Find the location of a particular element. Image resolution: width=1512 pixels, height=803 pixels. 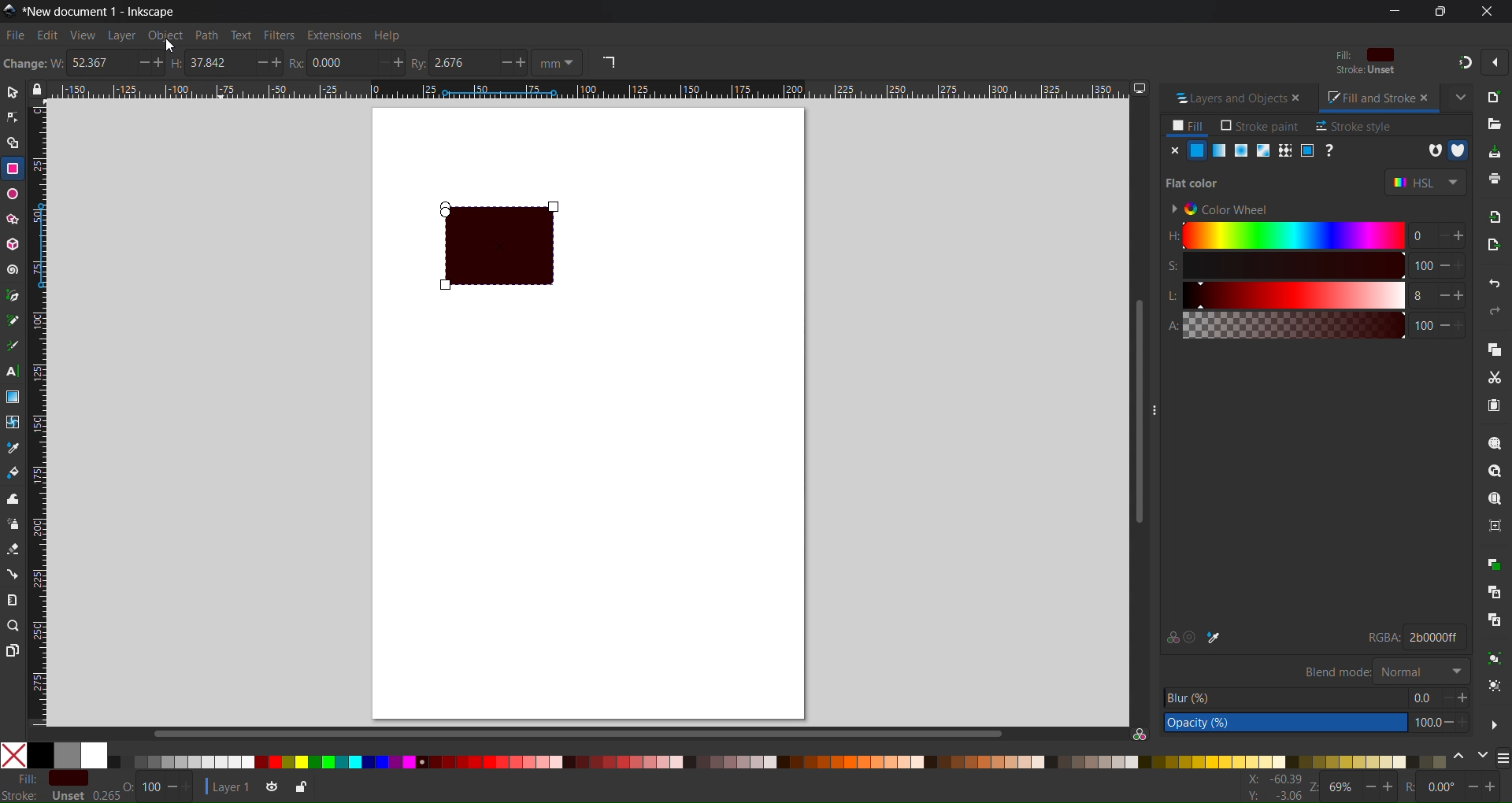

Node tool is located at coordinates (13, 117).